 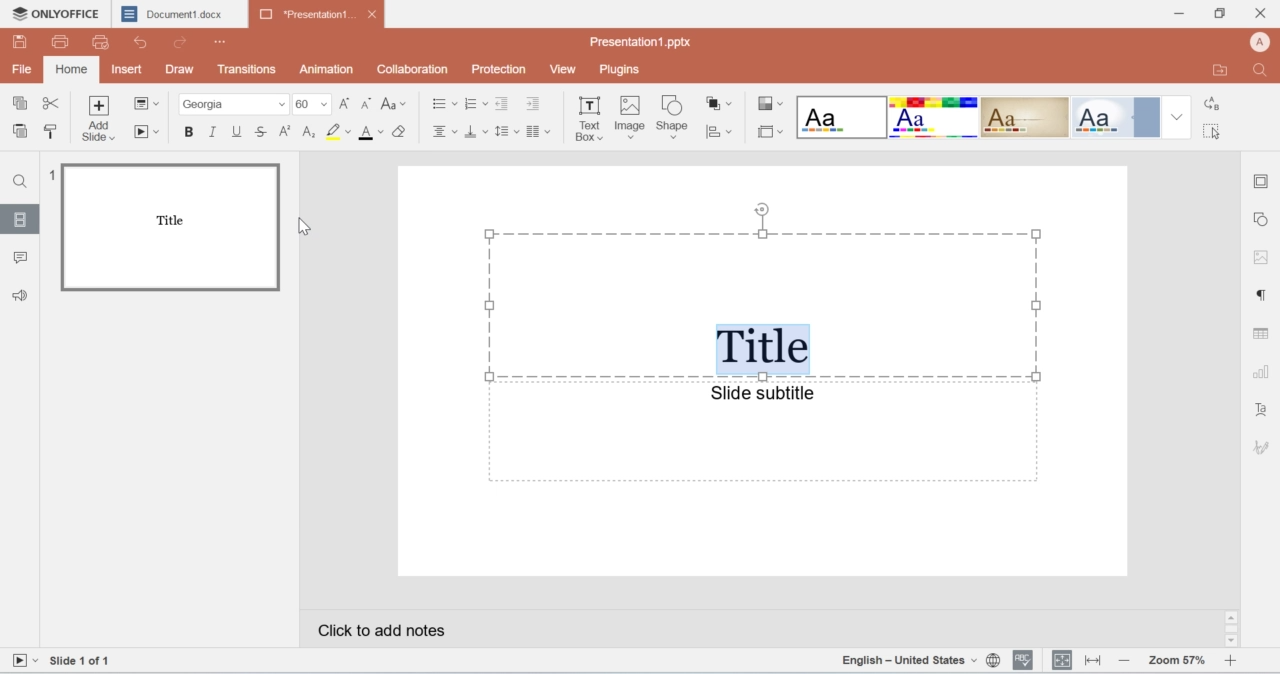 I want to click on font, so click(x=233, y=103).